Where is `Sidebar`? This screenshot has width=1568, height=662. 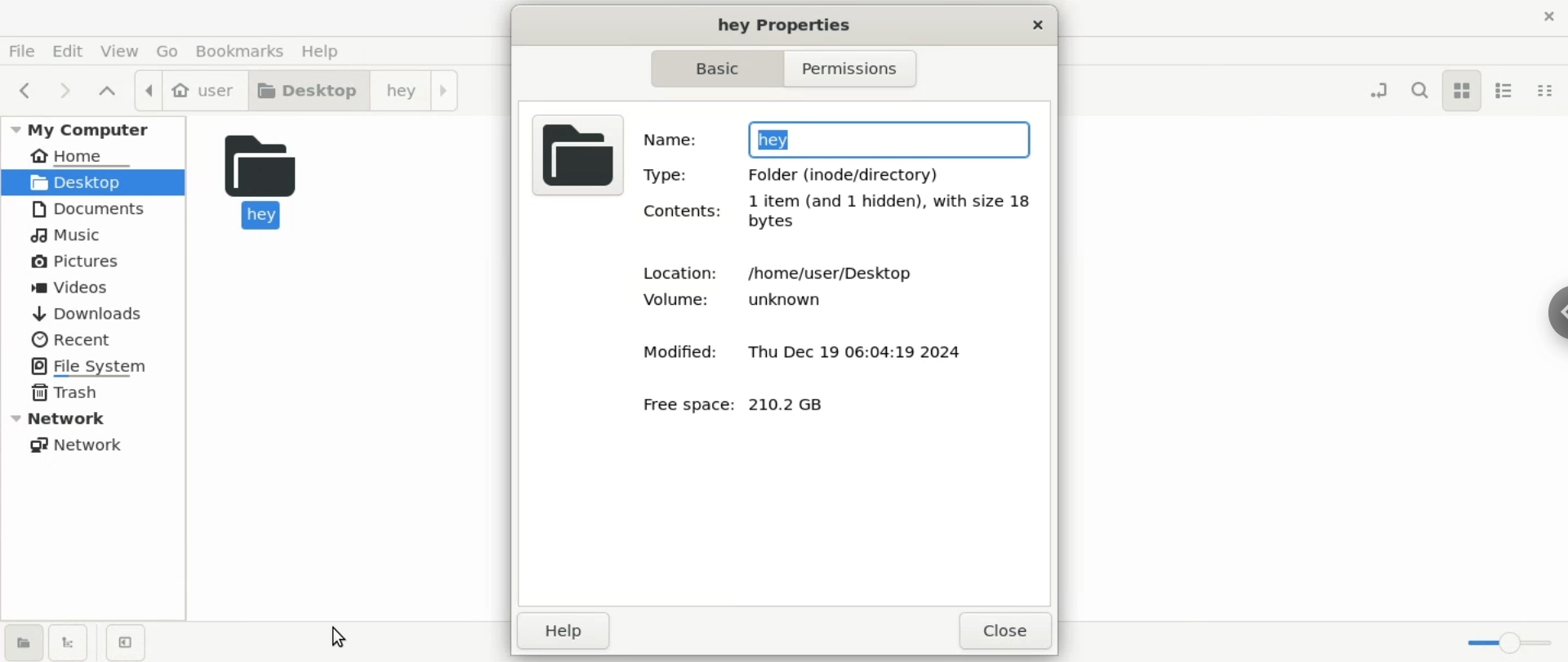 Sidebar is located at coordinates (1554, 314).